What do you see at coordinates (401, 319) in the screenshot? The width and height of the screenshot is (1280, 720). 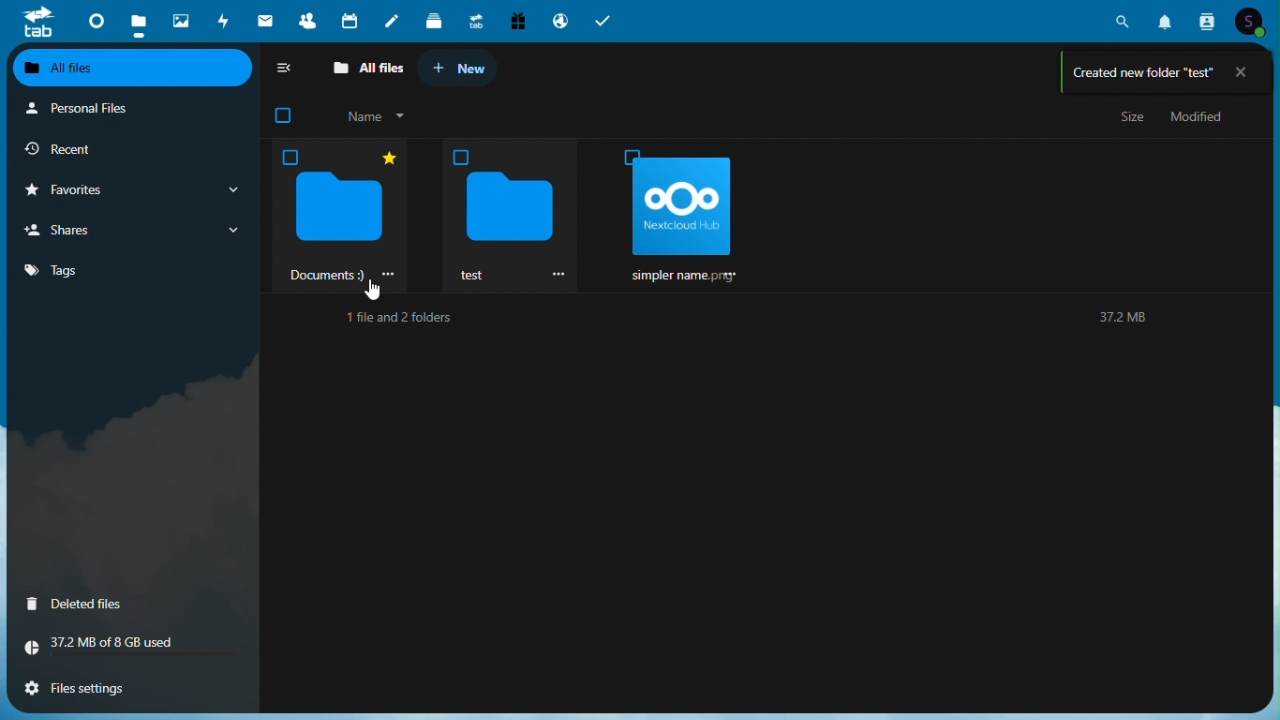 I see `Text` at bounding box center [401, 319].